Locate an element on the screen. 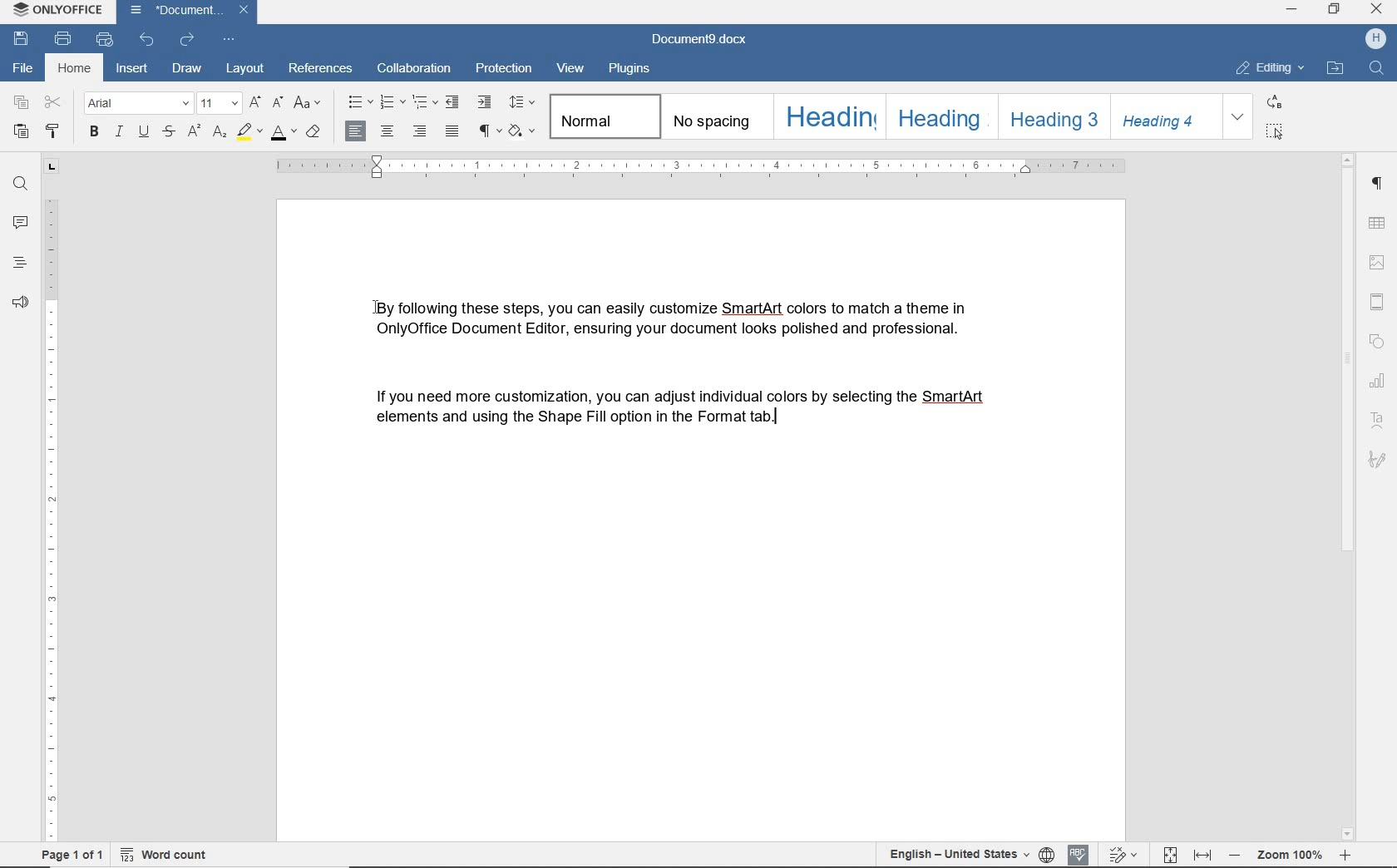 This screenshot has height=868, width=1397. spell checking is located at coordinates (1080, 851).